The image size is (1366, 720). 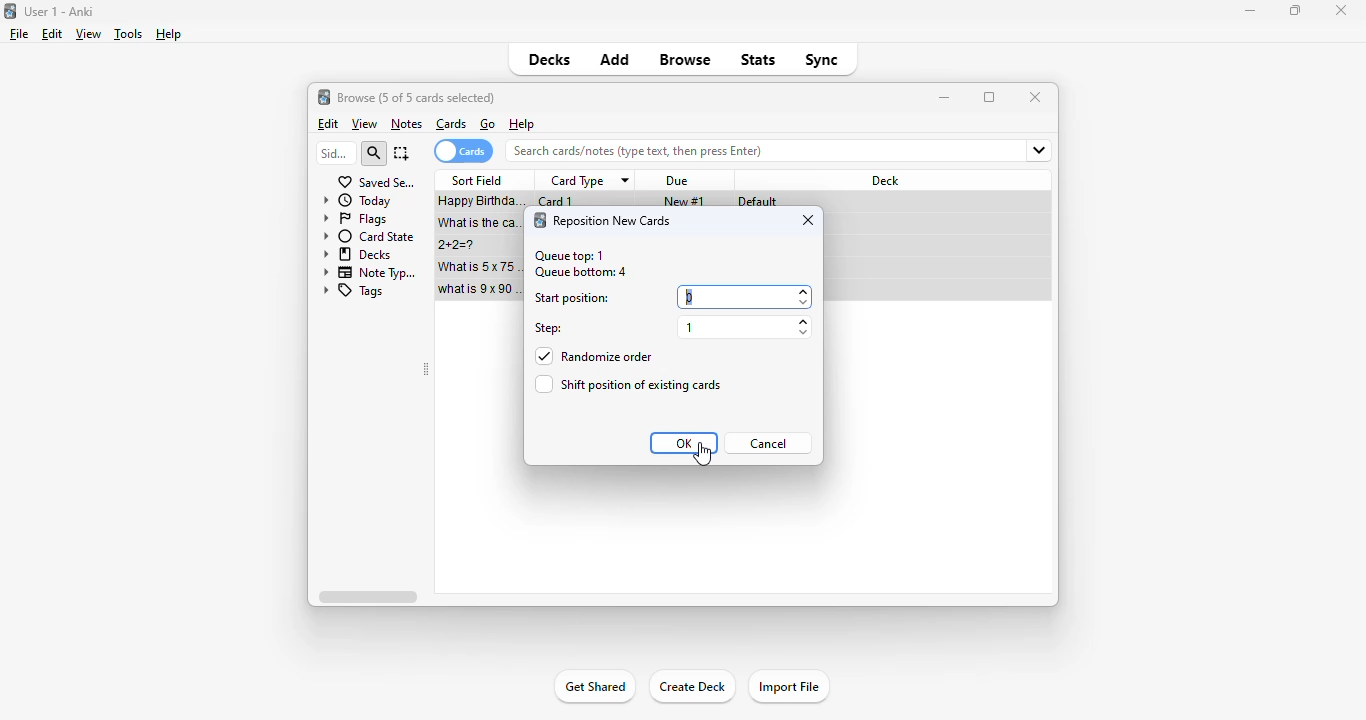 I want to click on go, so click(x=488, y=124).